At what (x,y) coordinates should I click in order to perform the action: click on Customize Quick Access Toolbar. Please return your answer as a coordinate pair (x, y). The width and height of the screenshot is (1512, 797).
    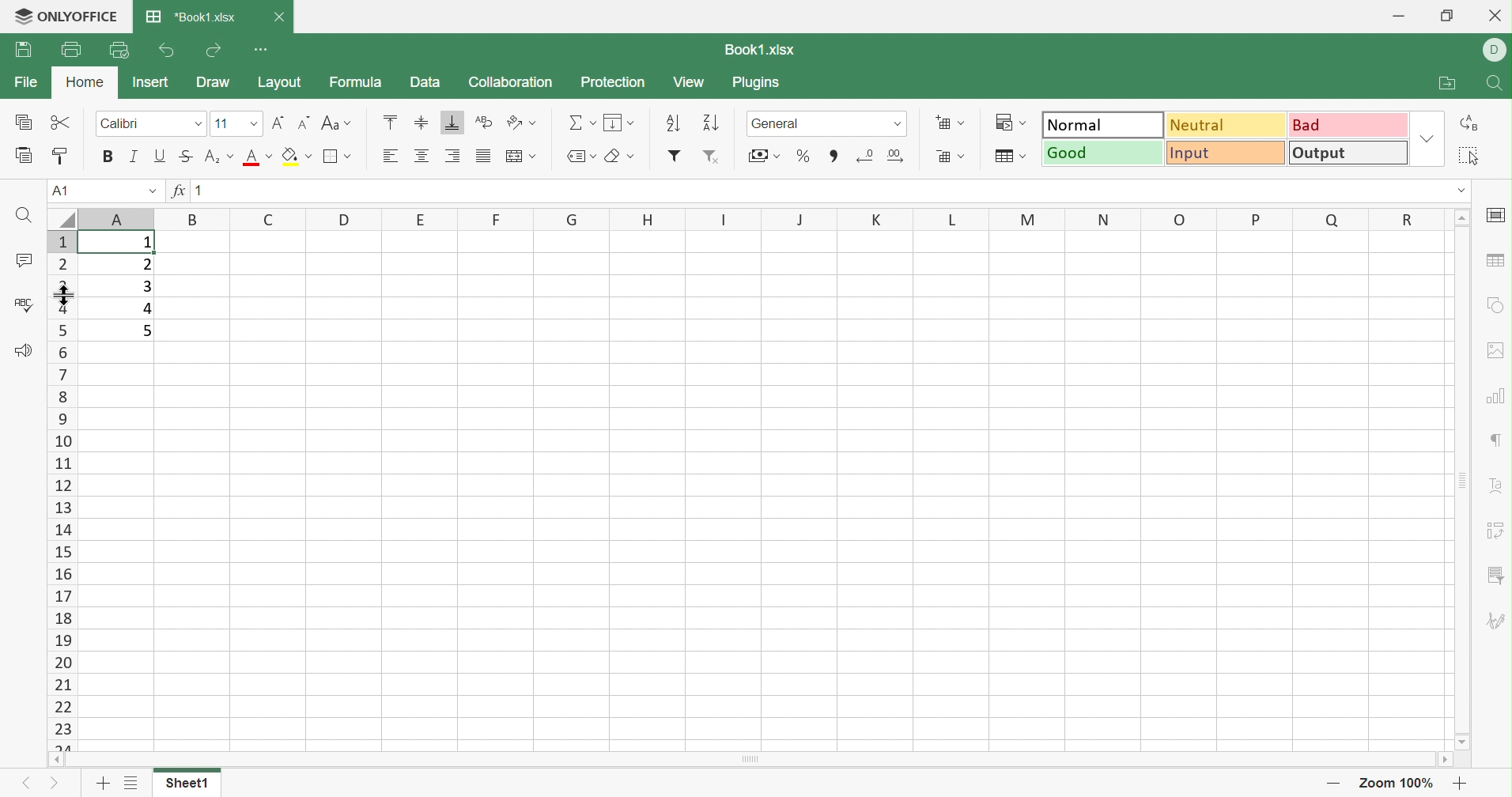
    Looking at the image, I should click on (262, 50).